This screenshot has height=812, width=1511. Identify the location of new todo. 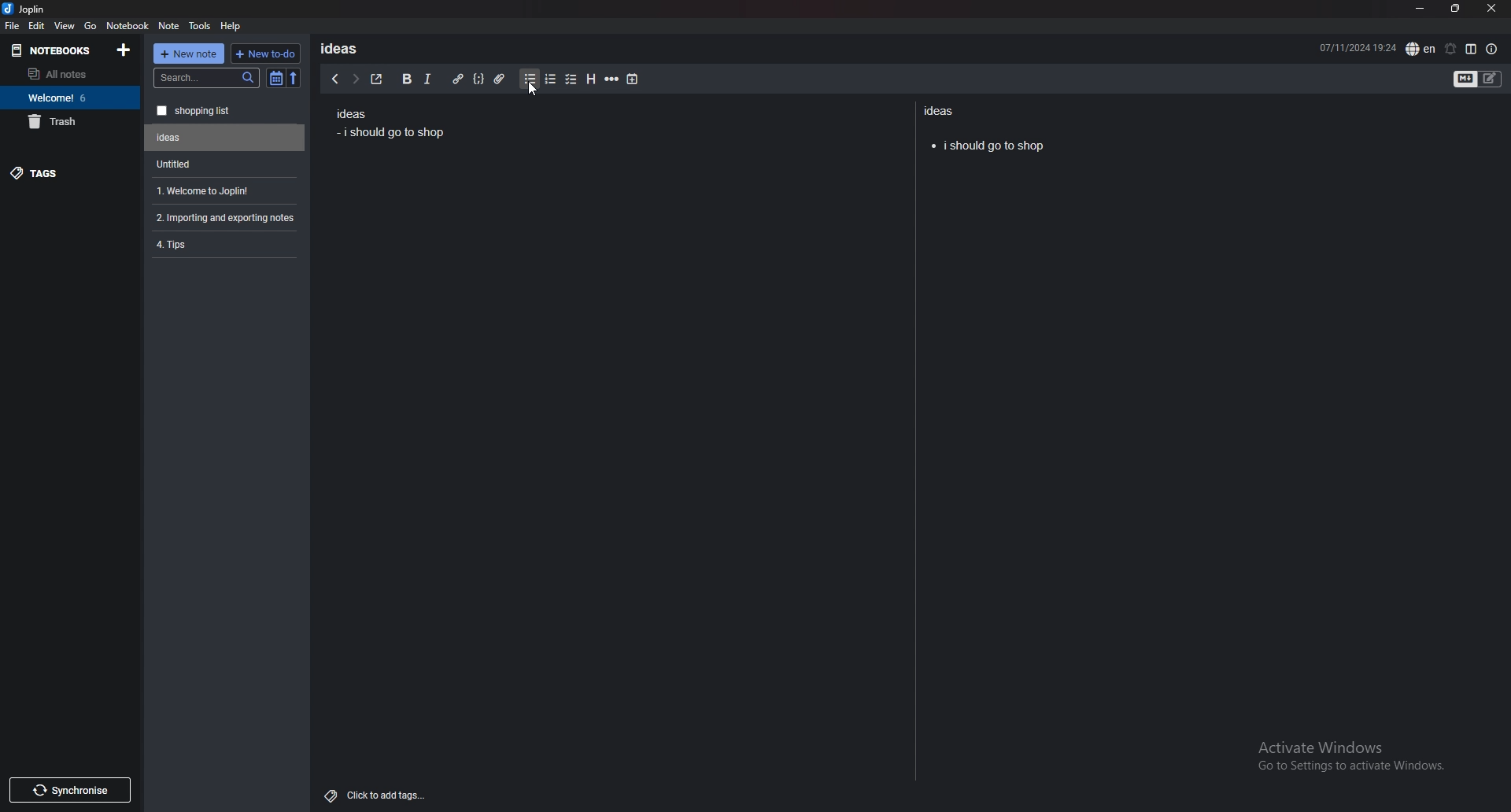
(264, 54).